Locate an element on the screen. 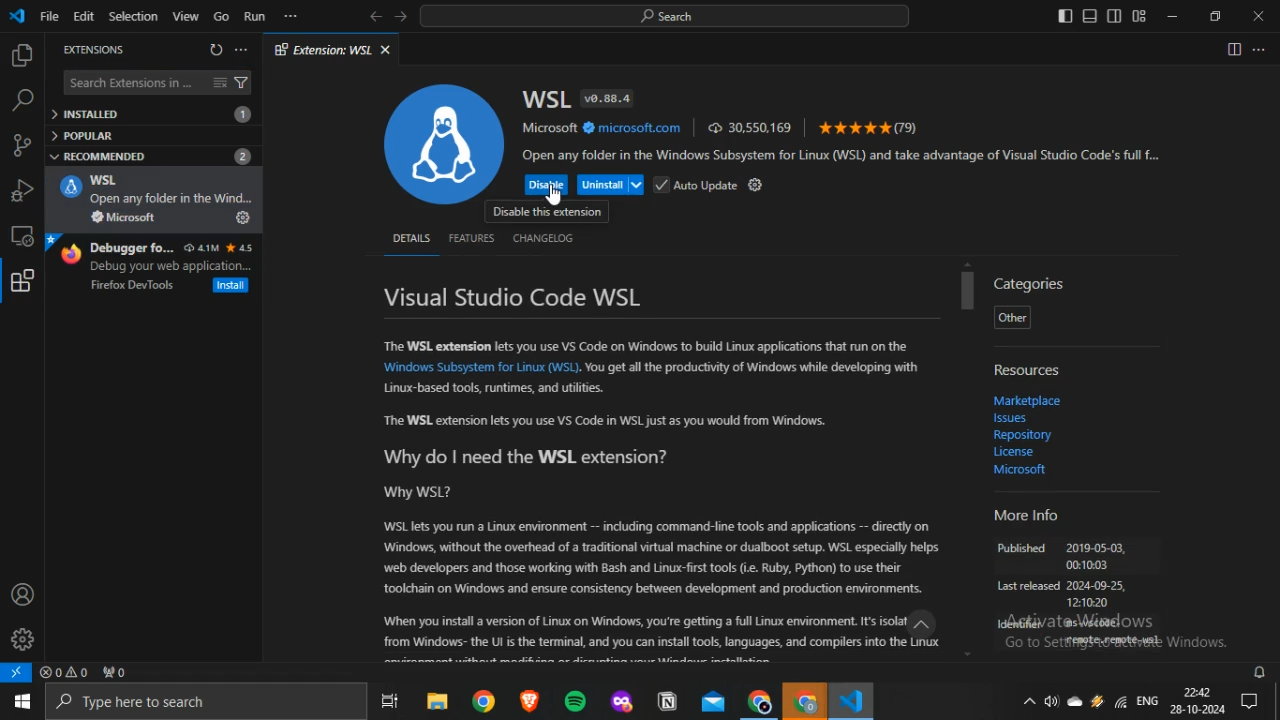  Search Extensions in ... is located at coordinates (132, 83).